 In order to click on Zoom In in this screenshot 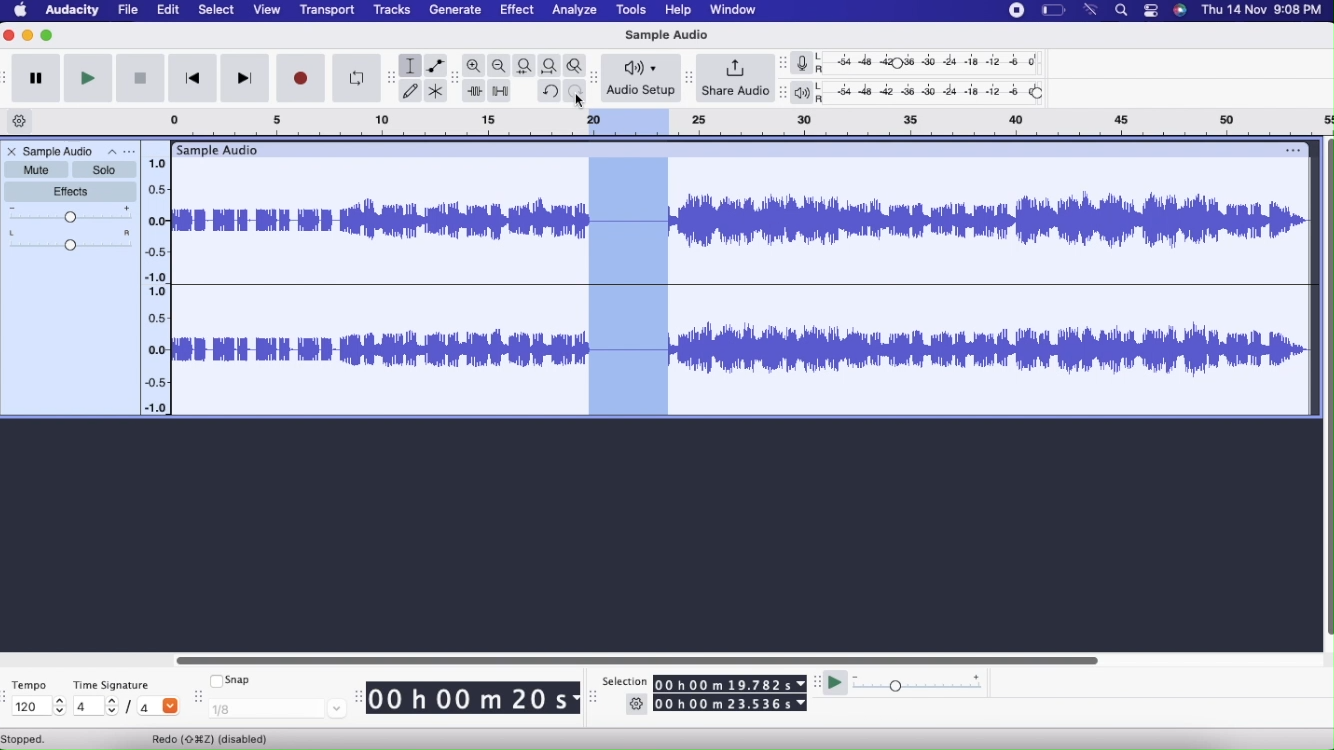, I will do `click(474, 66)`.